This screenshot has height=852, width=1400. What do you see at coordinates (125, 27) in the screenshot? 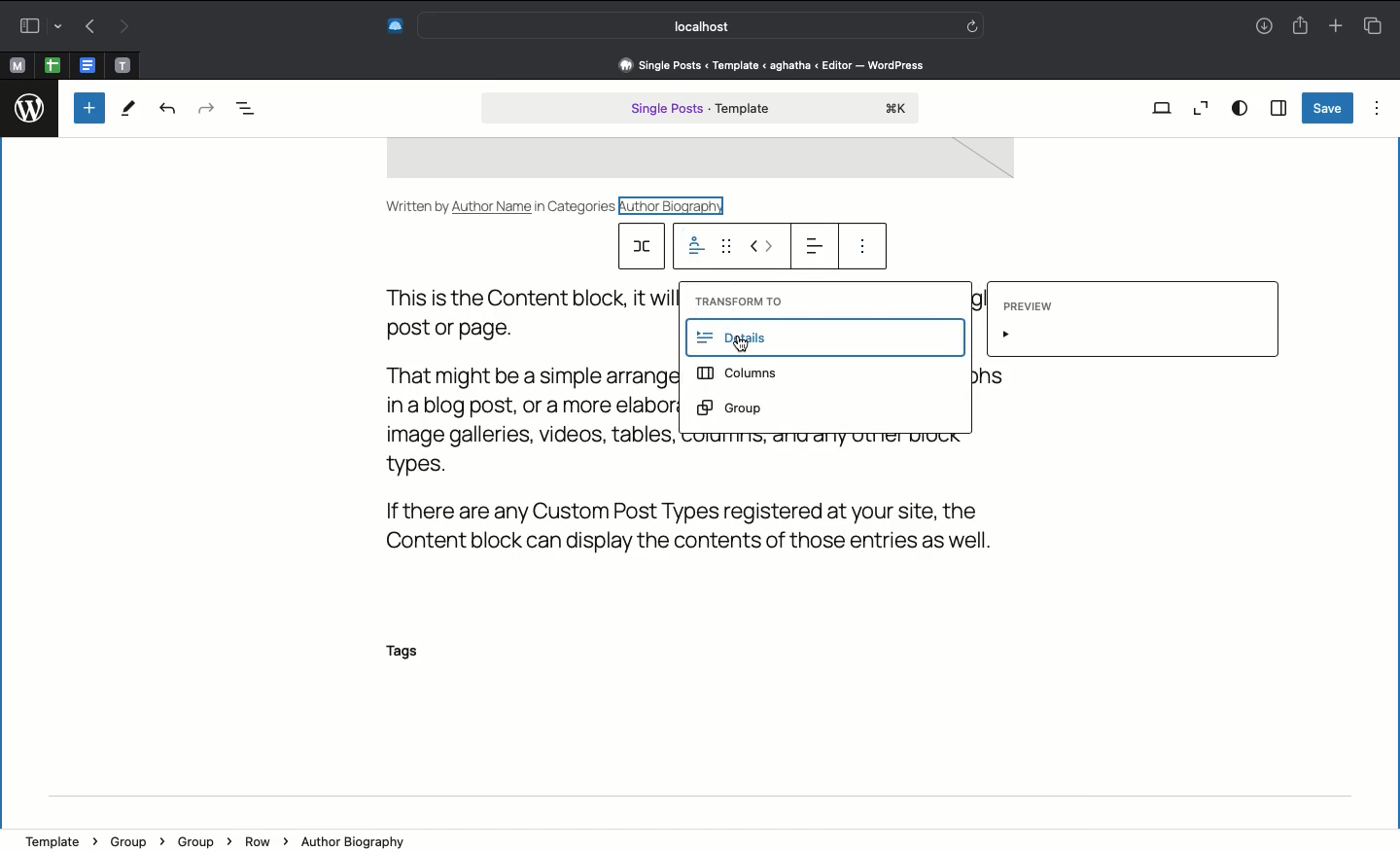
I see `Forward` at bounding box center [125, 27].